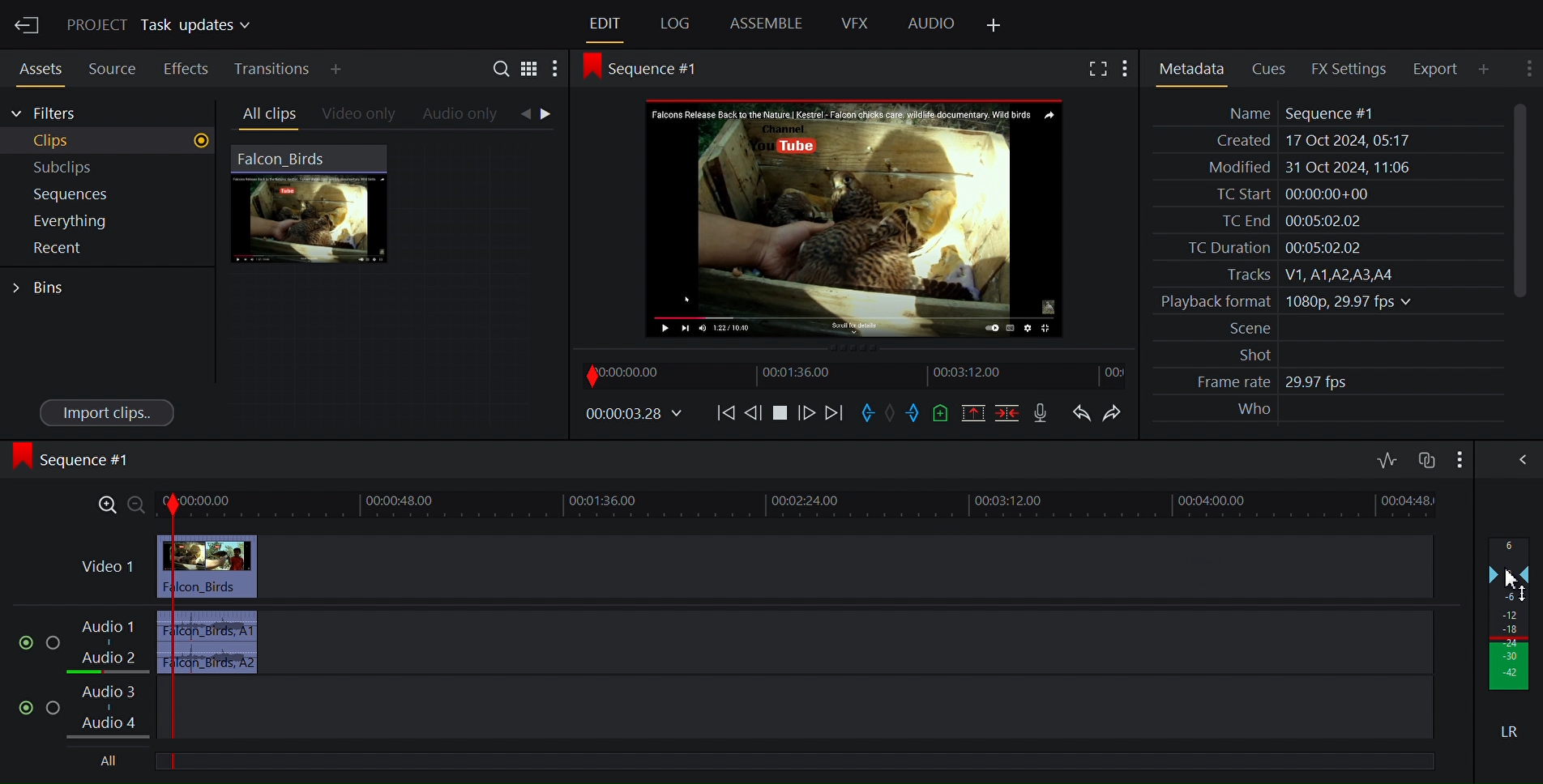  Describe the element at coordinates (105, 505) in the screenshot. I see `Zoom in` at that location.